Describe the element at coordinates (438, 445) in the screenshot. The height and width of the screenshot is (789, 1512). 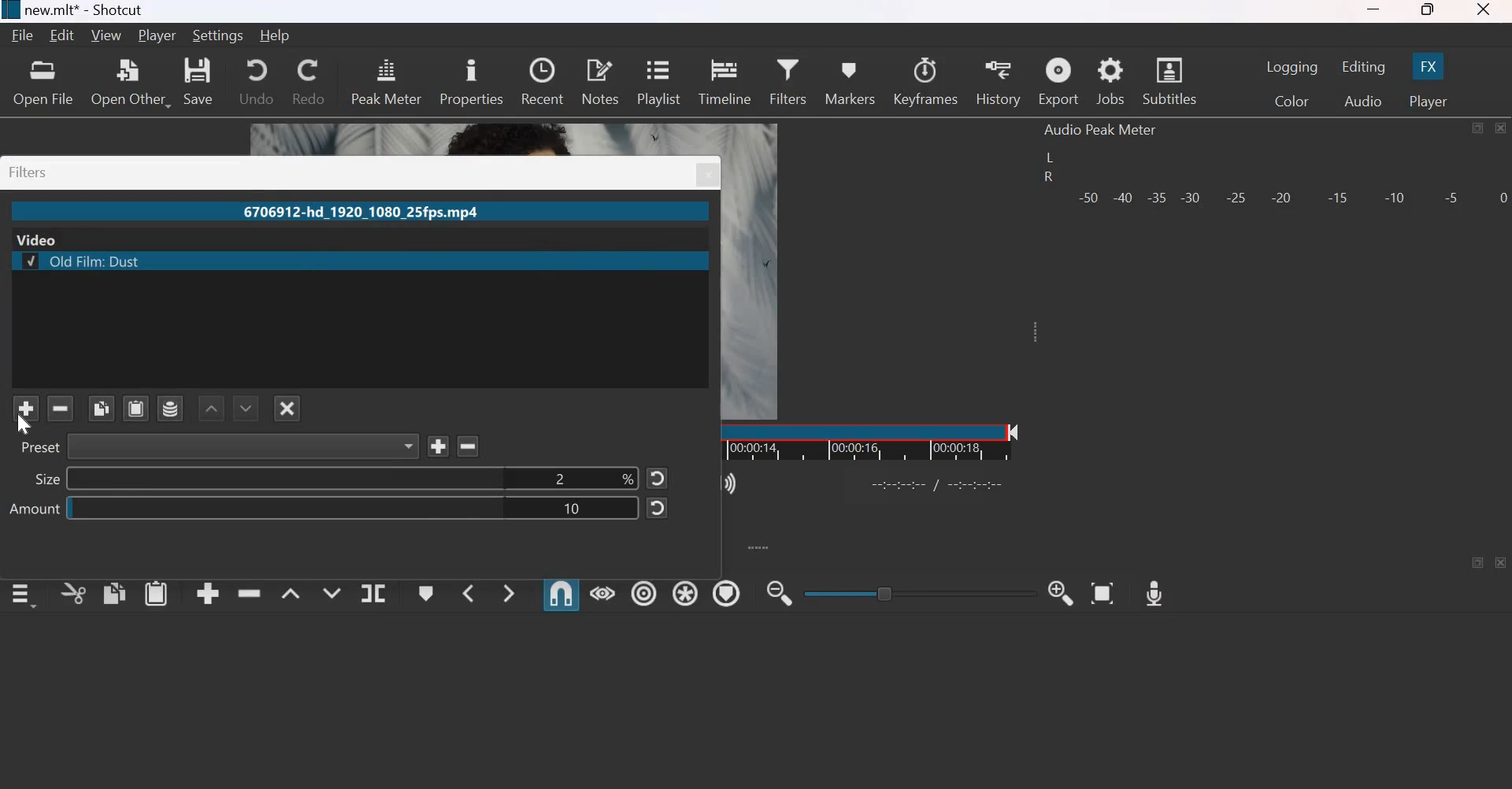
I see `Add filter` at that location.